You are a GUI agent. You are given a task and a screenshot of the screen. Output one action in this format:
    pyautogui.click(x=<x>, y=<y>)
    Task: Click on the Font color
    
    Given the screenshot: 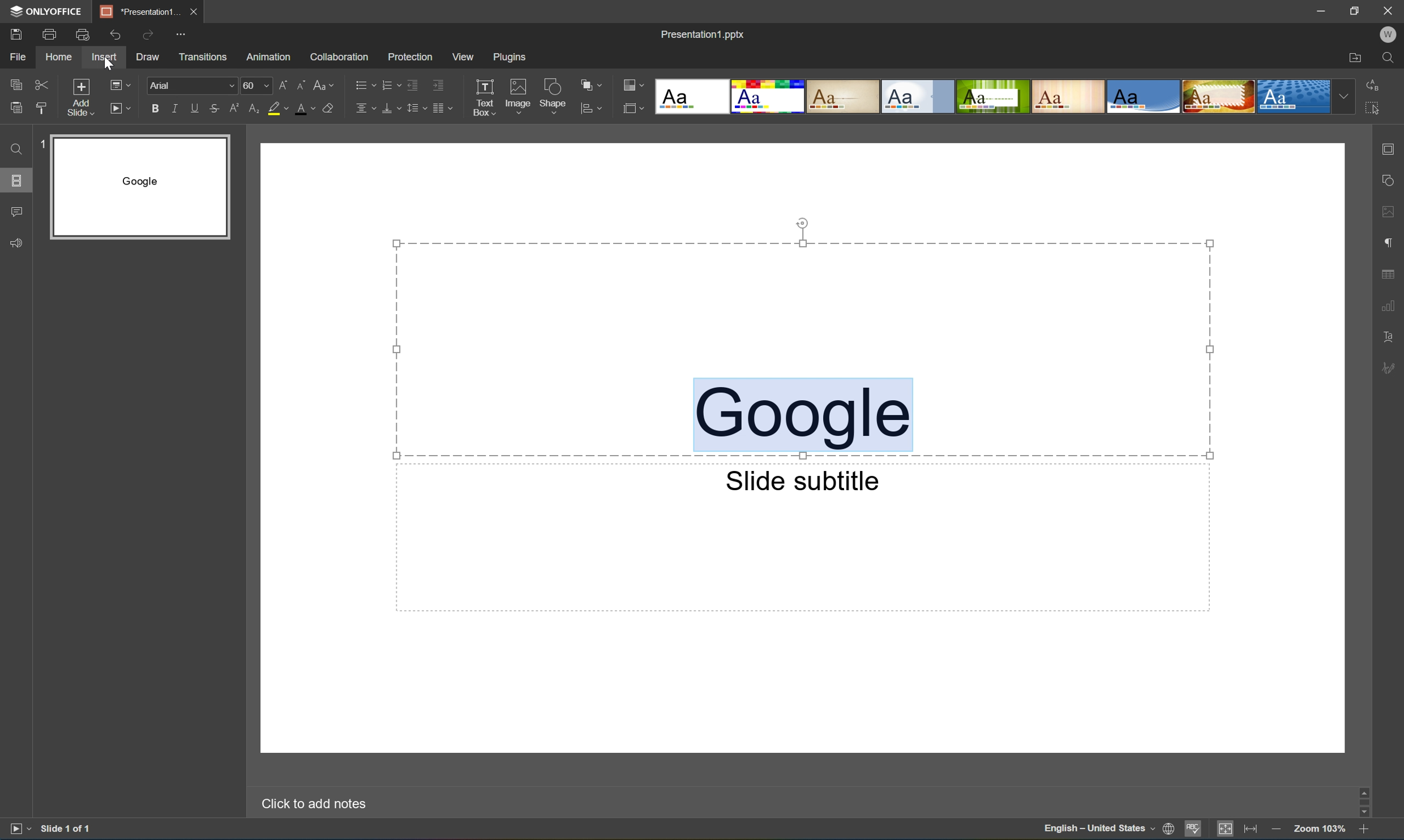 What is the action you would take?
    pyautogui.click(x=306, y=109)
    